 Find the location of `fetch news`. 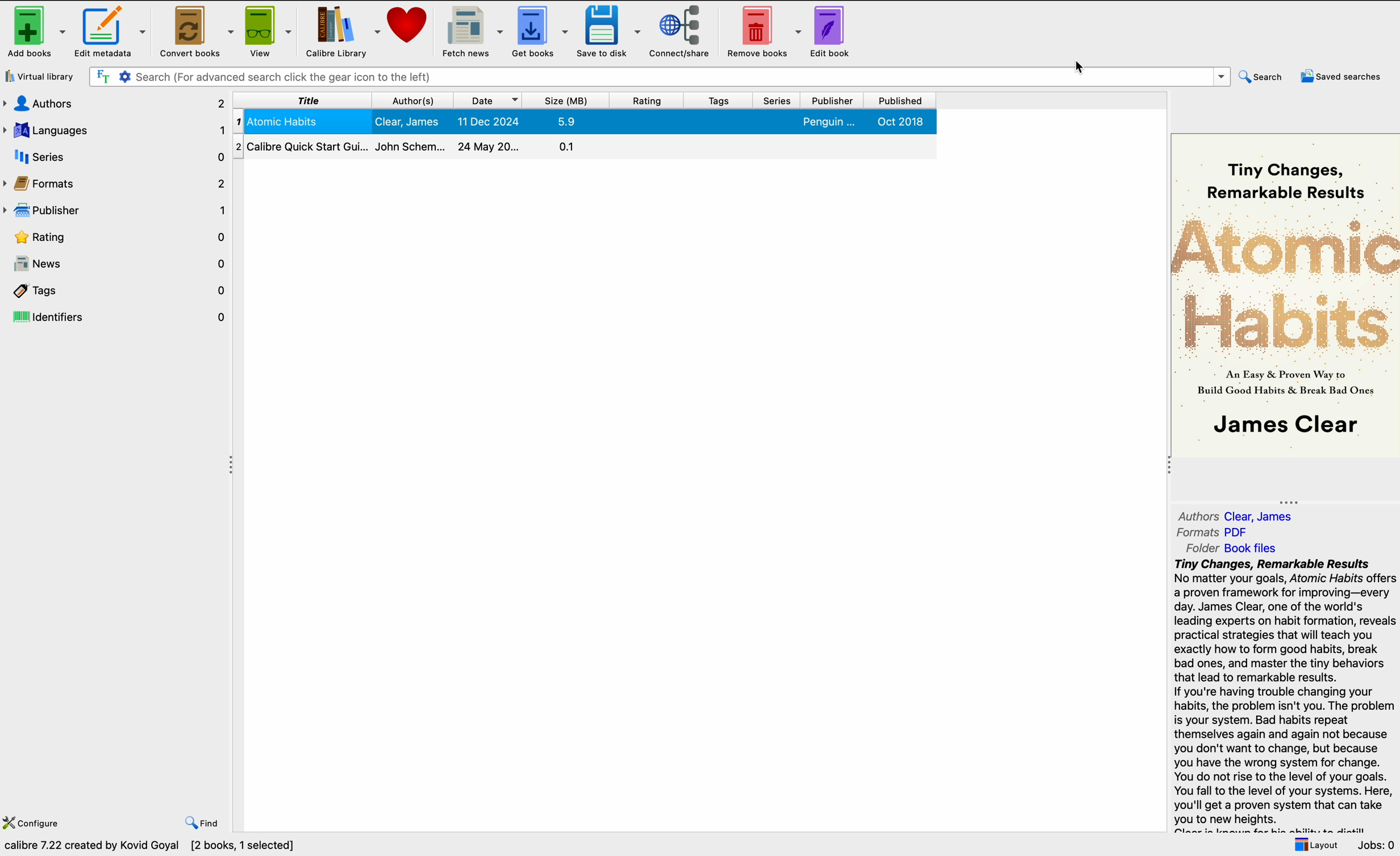

fetch news is located at coordinates (475, 31).